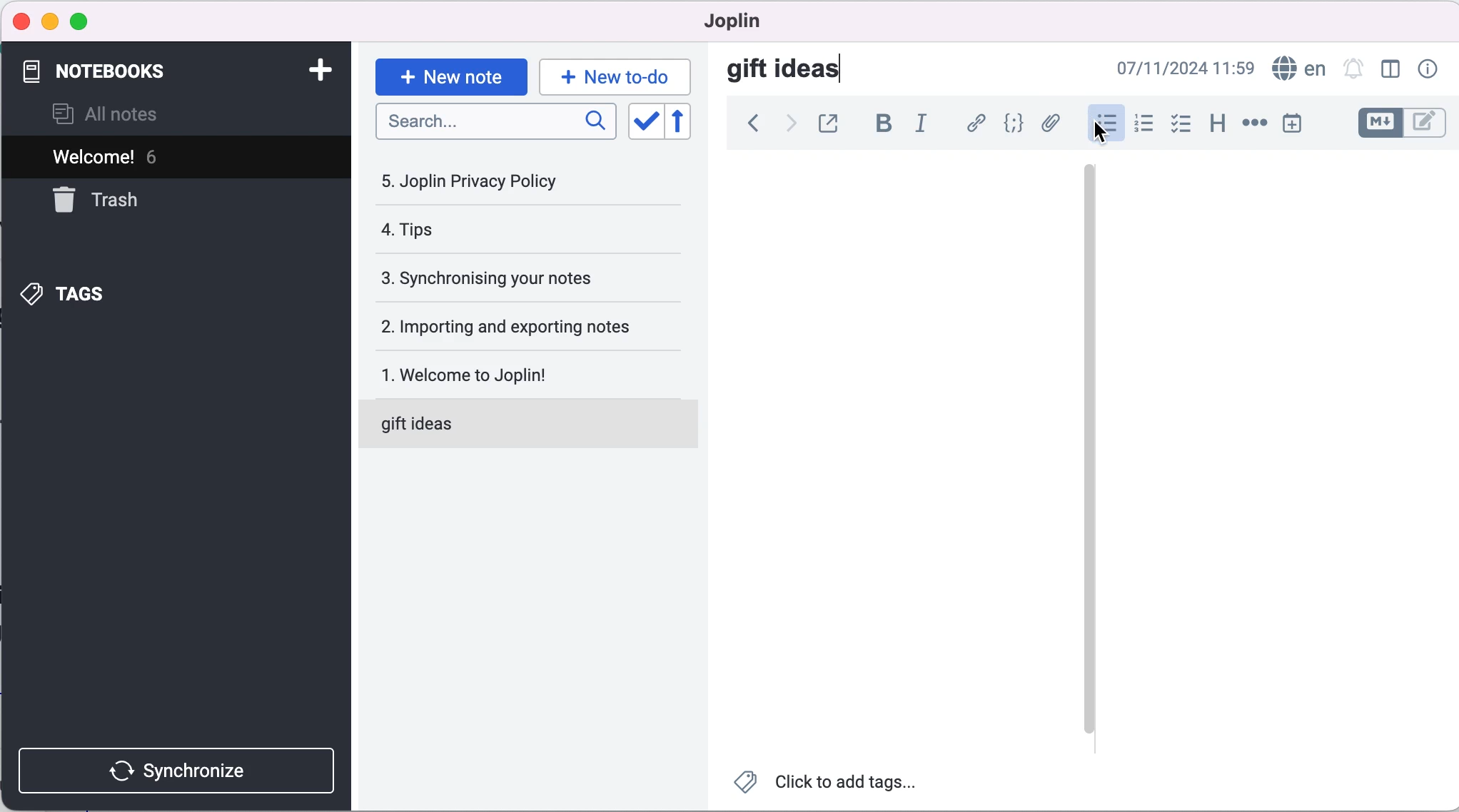  What do you see at coordinates (904, 449) in the screenshot?
I see `blank canva` at bounding box center [904, 449].